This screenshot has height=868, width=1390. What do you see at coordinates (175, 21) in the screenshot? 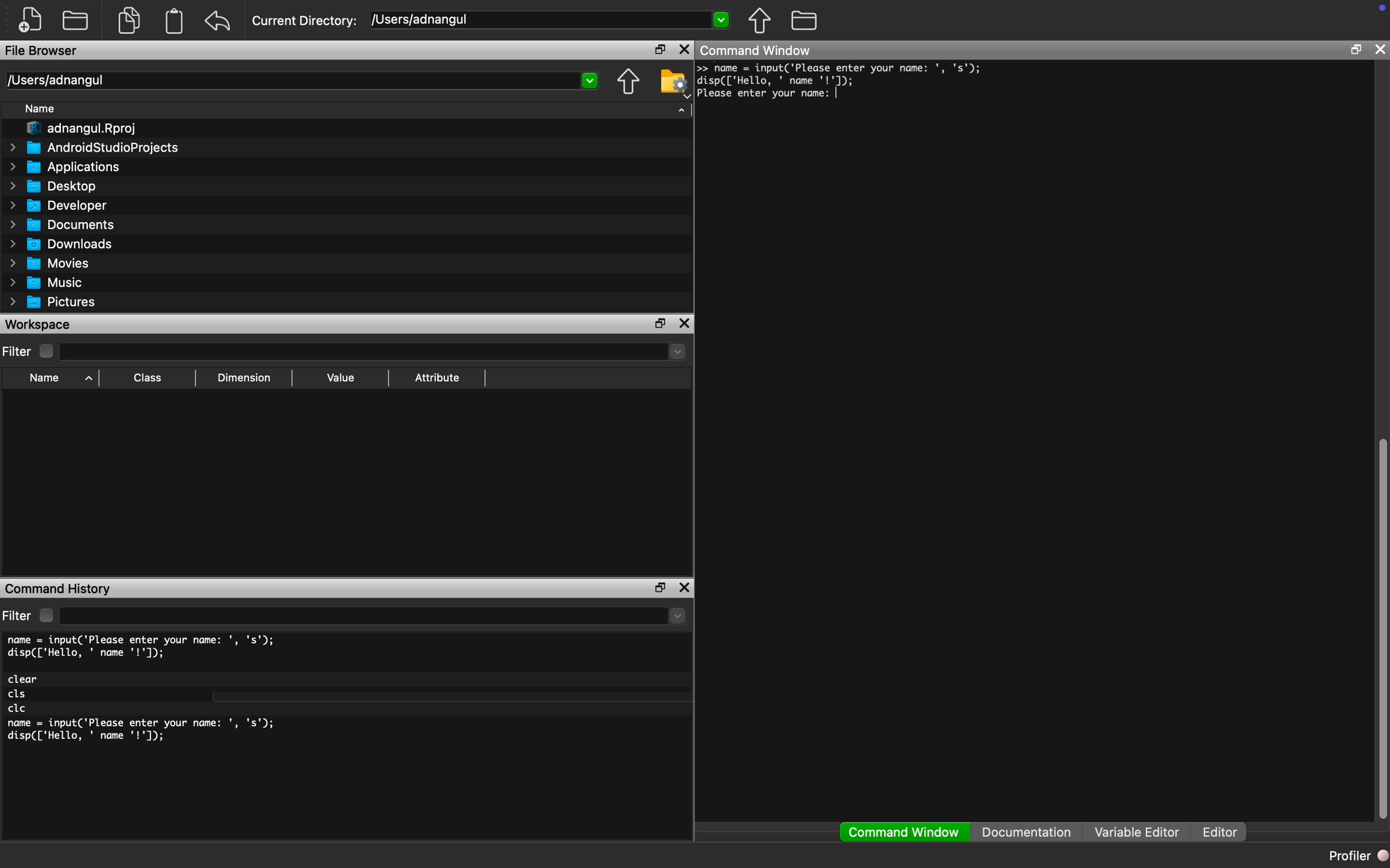
I see `clipboard` at bounding box center [175, 21].